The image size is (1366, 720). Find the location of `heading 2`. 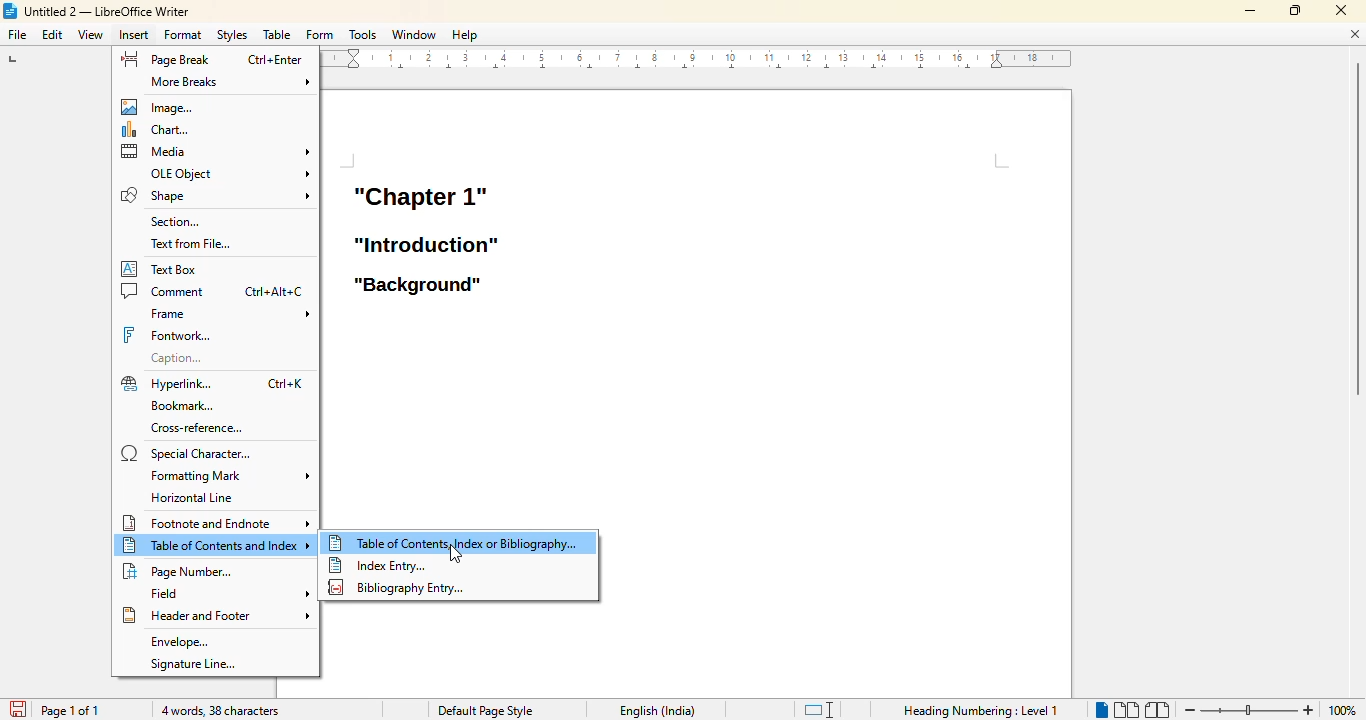

heading 2 is located at coordinates (427, 244).